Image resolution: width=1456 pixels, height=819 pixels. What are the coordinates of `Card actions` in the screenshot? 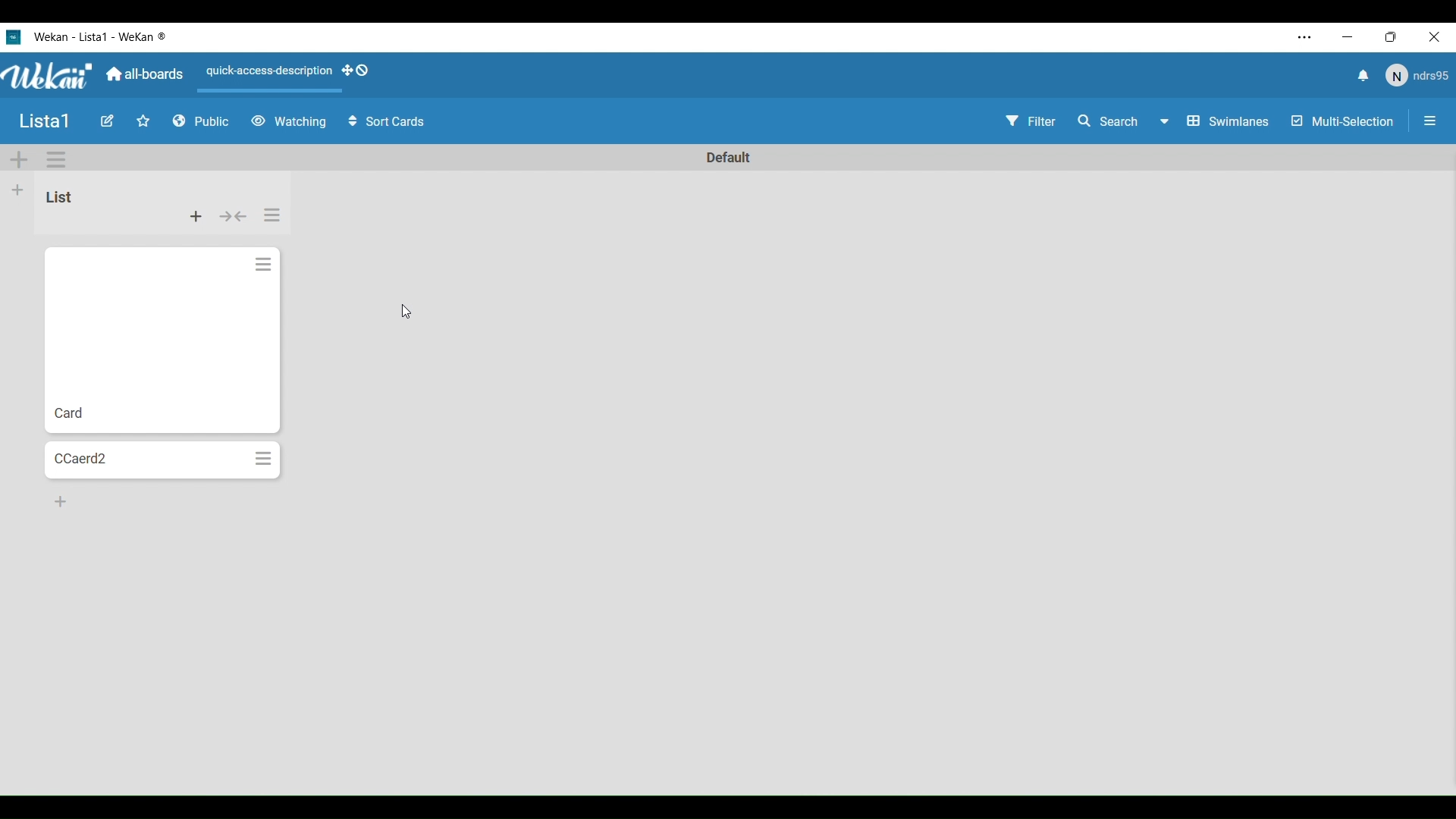 It's located at (265, 460).